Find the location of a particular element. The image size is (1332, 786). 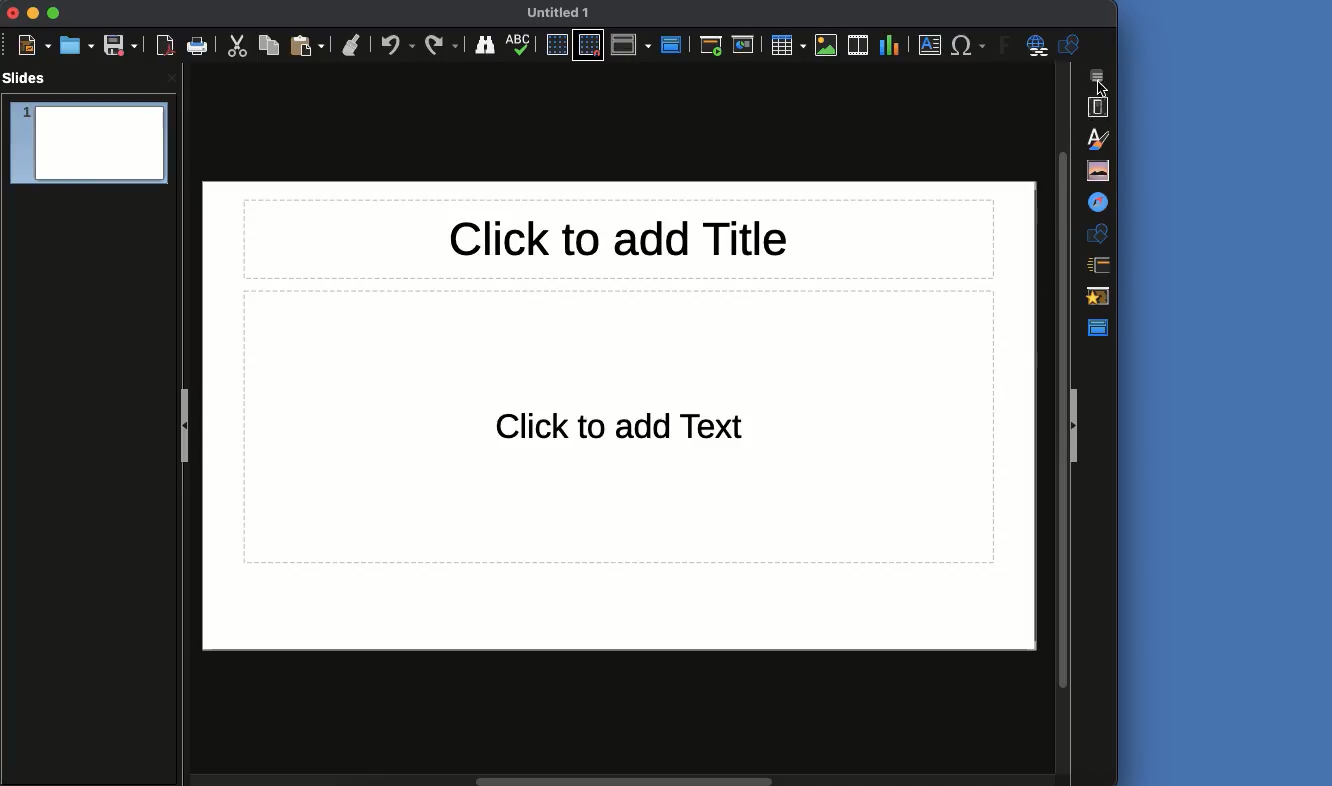

Copy is located at coordinates (269, 46).